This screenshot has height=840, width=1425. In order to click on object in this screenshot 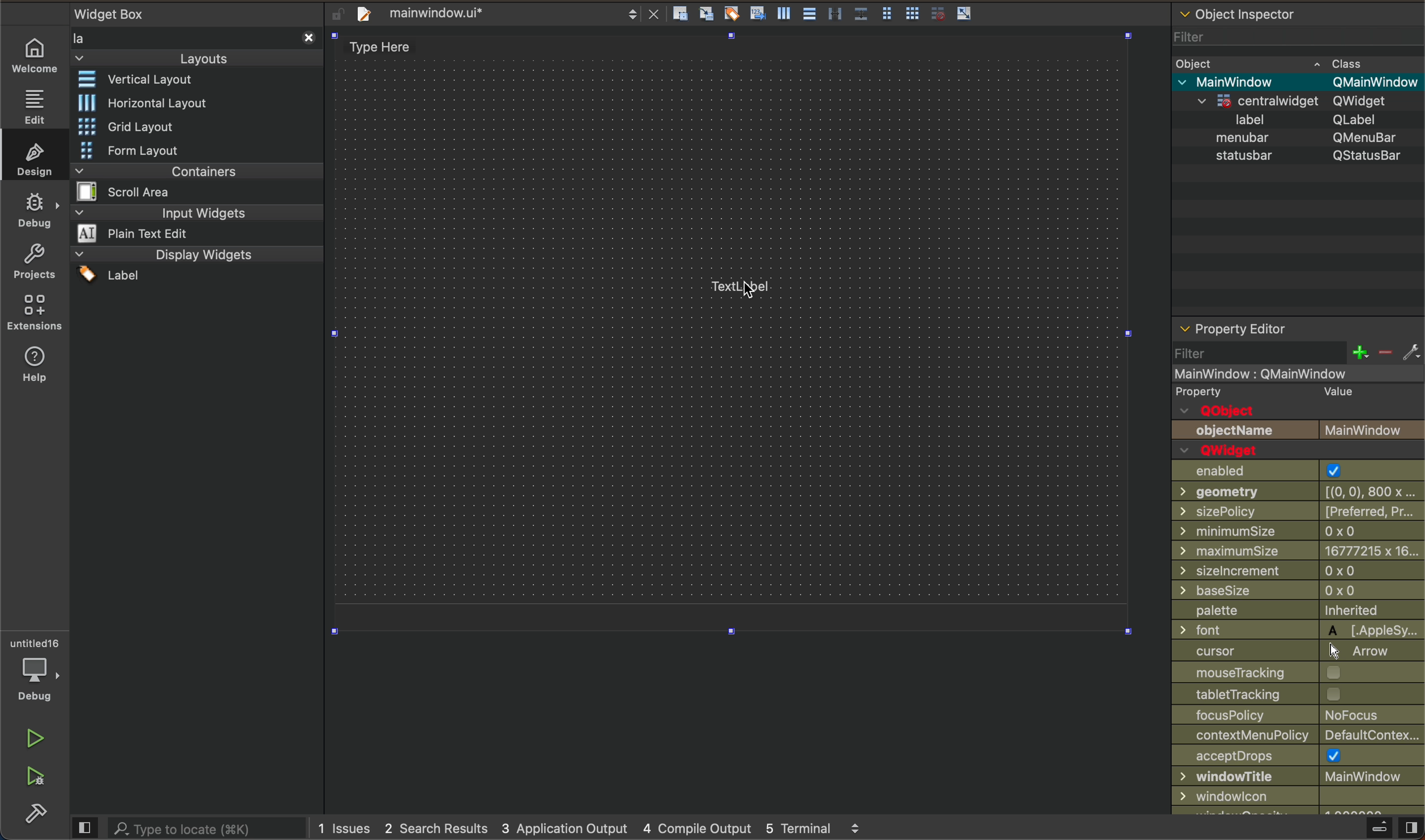, I will do `click(1274, 63)`.